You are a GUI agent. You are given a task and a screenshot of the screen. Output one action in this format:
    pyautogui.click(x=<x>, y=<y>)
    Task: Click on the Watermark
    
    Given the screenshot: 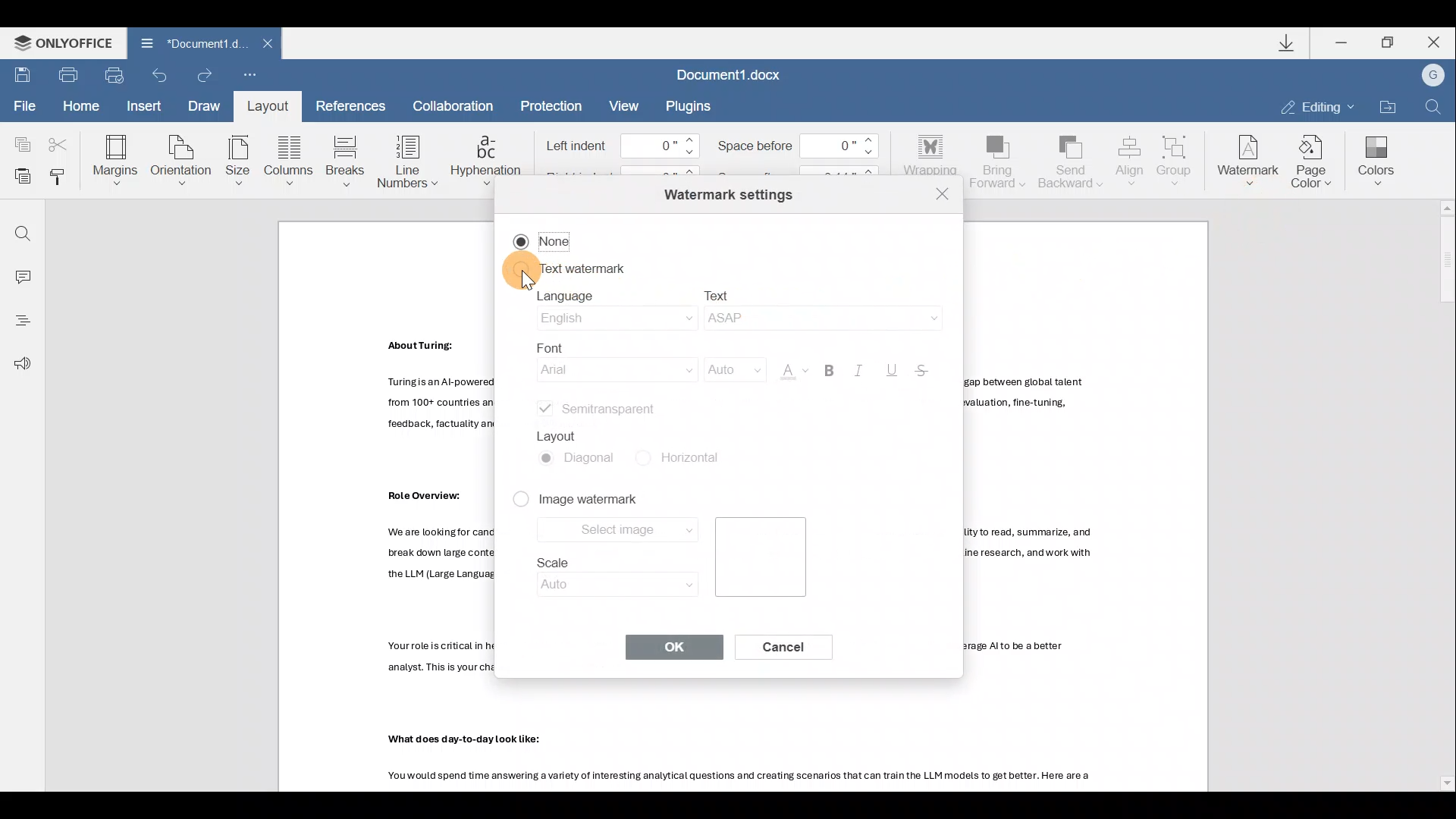 What is the action you would take?
    pyautogui.click(x=1250, y=158)
    